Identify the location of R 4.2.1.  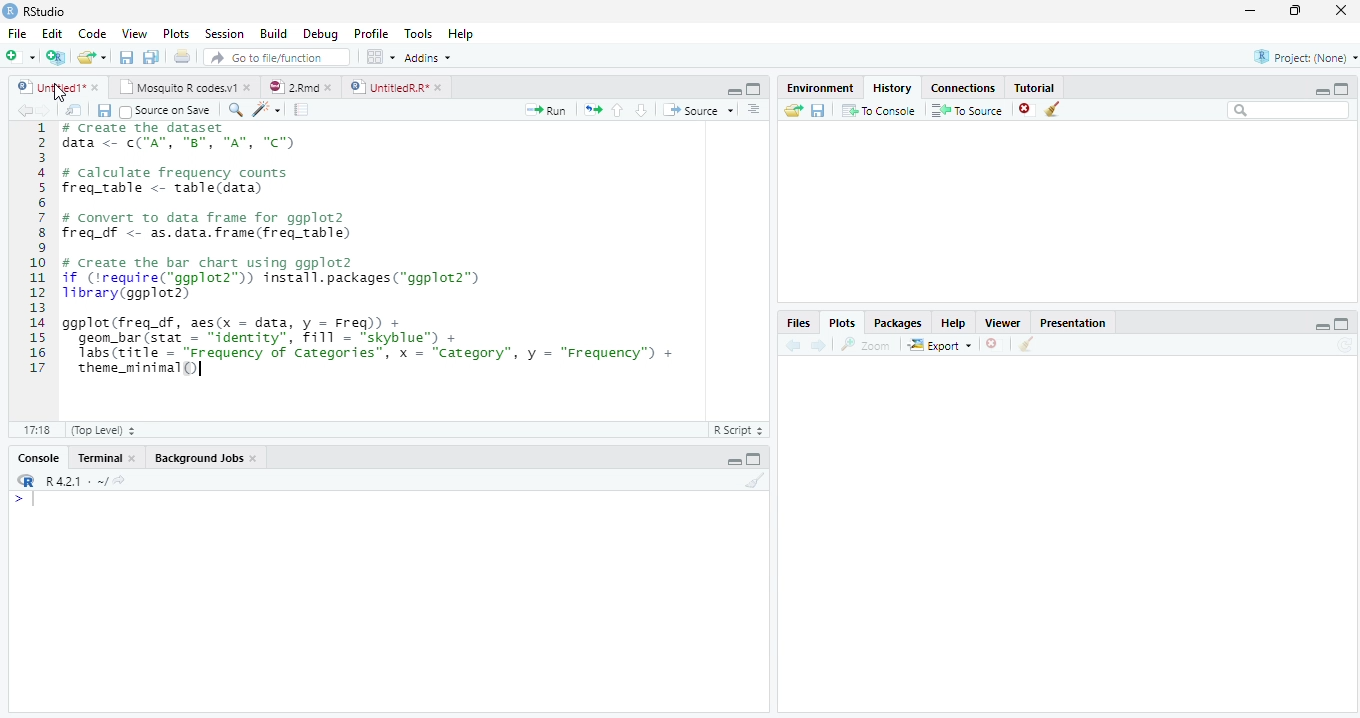
(70, 482).